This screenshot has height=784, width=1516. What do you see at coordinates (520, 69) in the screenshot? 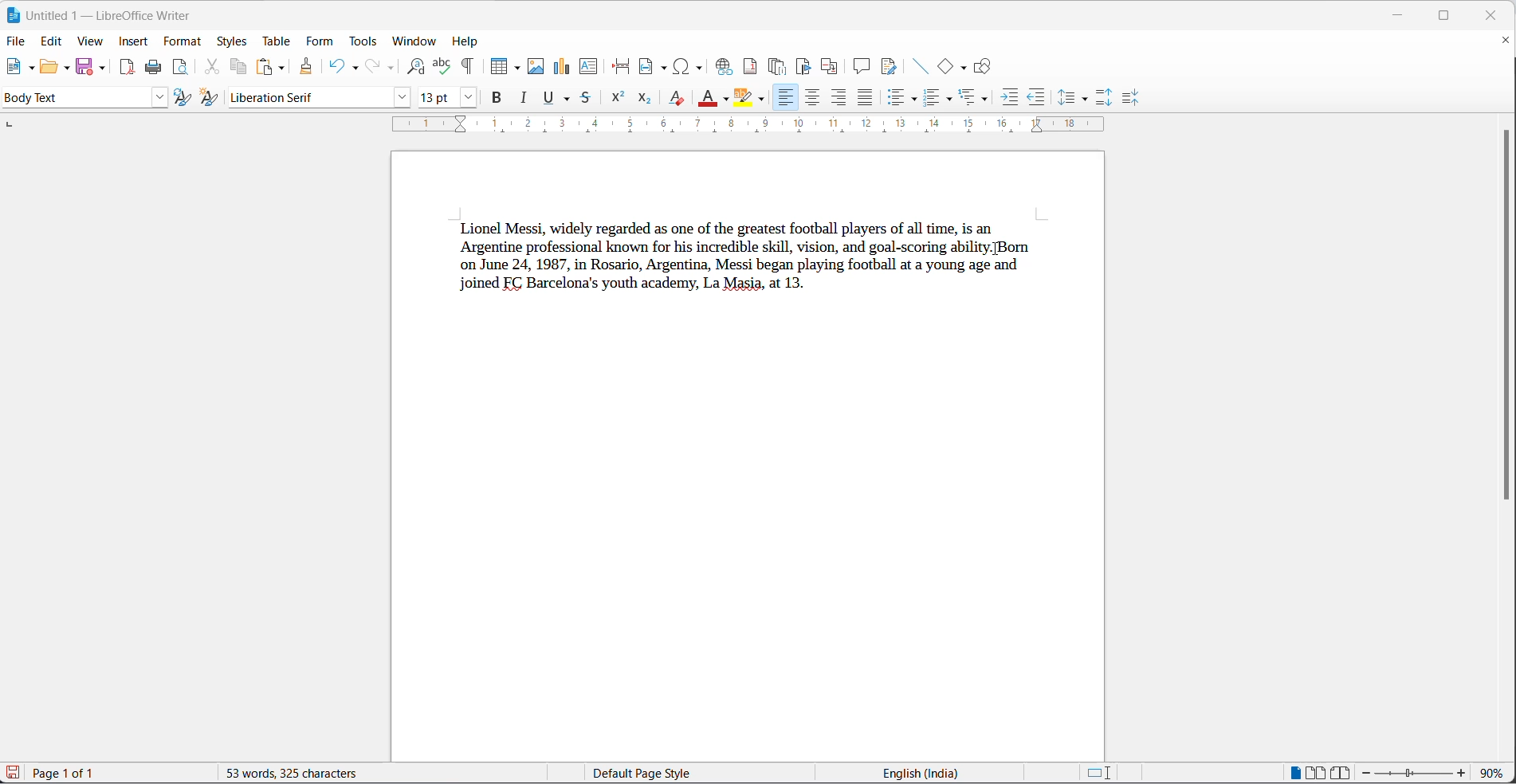
I see `table grid` at bounding box center [520, 69].